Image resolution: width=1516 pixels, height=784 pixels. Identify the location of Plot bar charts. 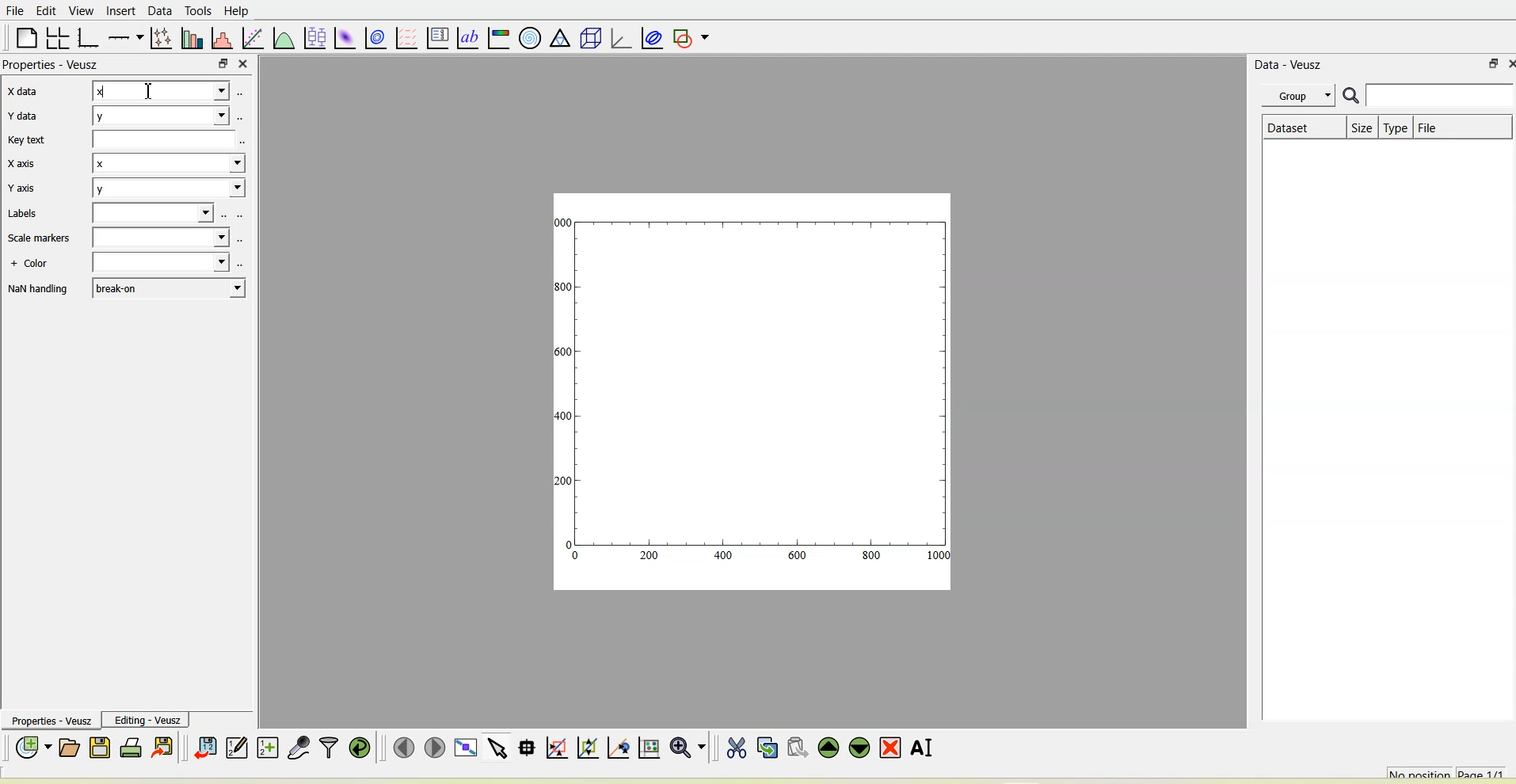
(192, 39).